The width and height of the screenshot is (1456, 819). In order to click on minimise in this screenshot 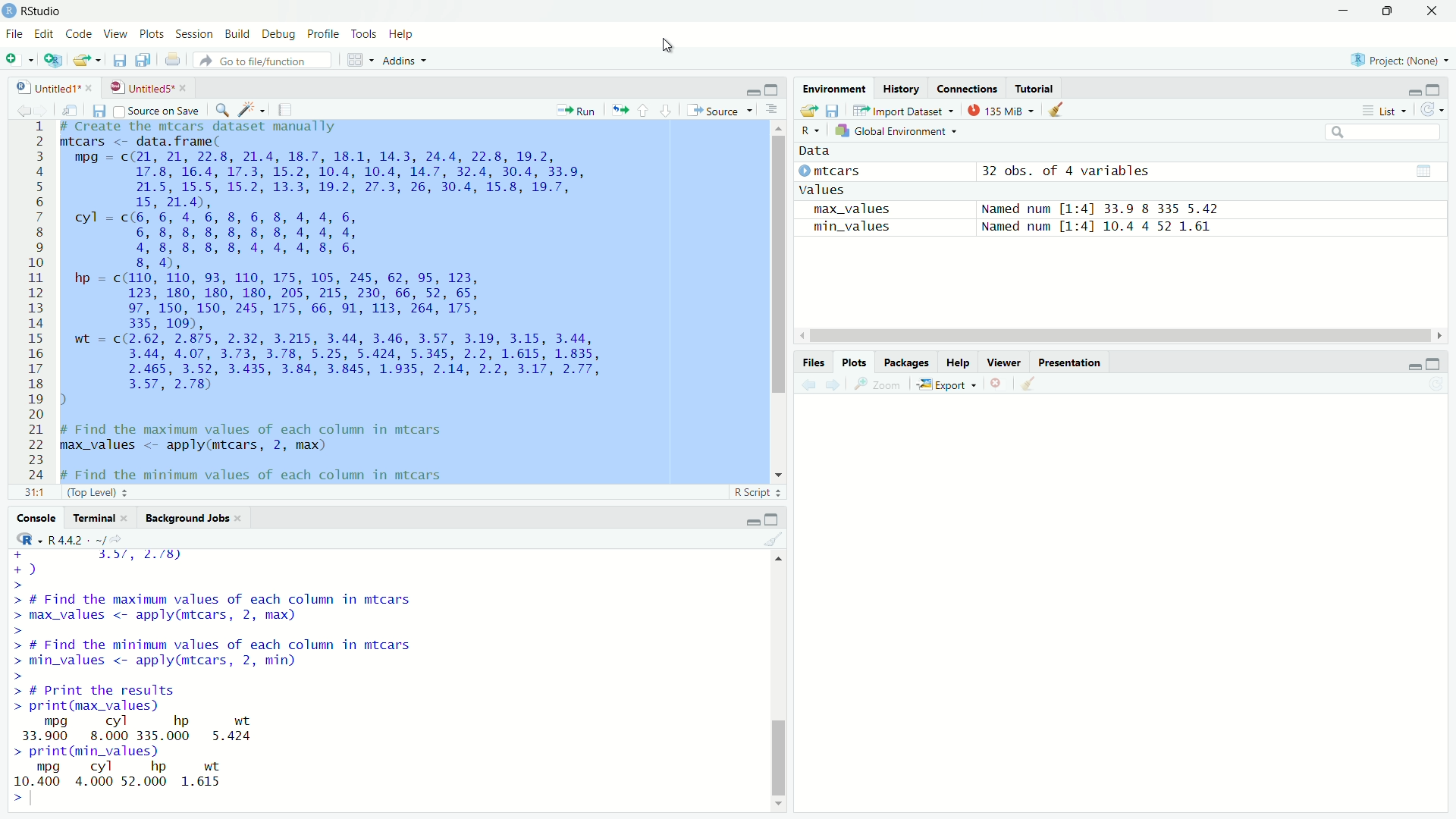, I will do `click(1414, 88)`.